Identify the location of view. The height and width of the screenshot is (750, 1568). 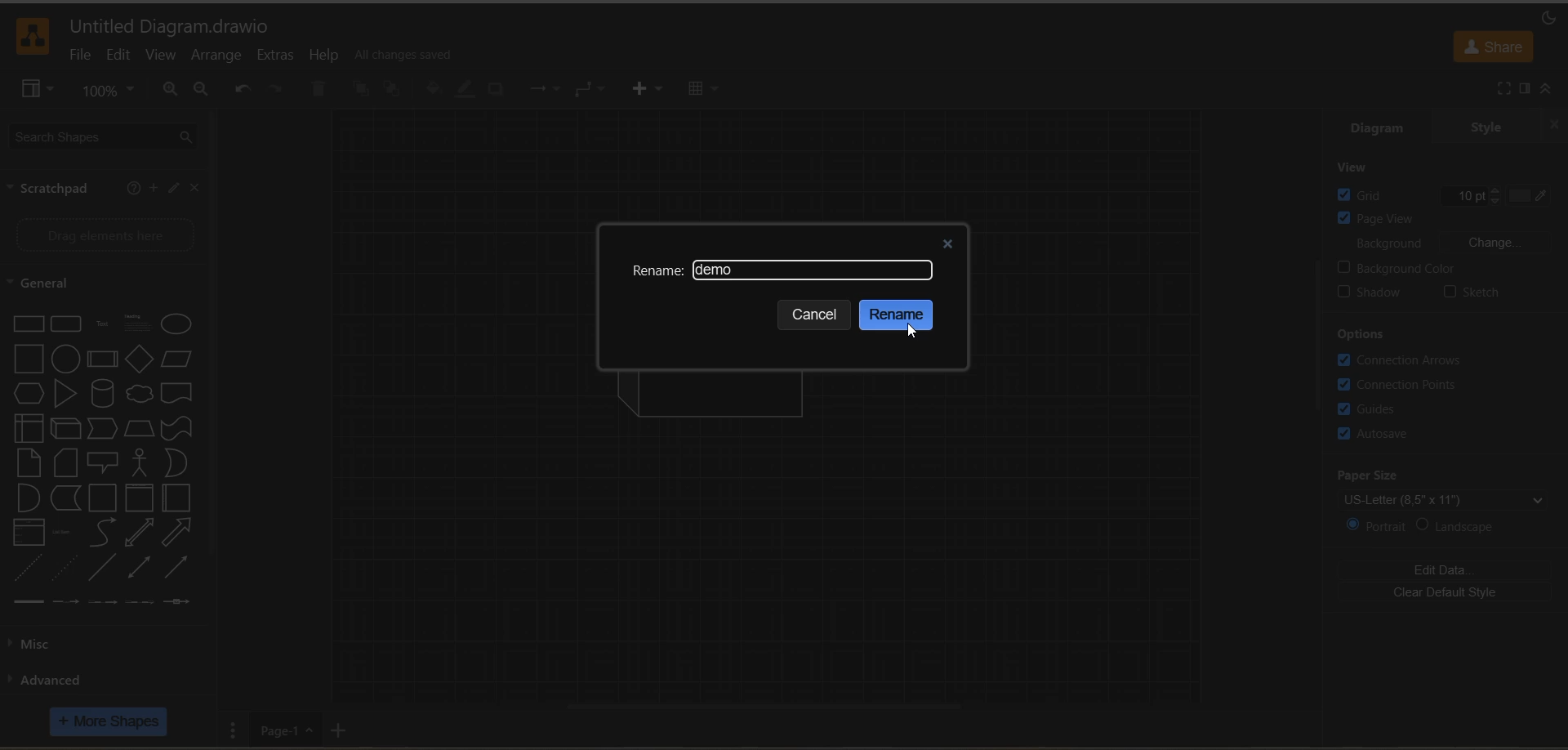
(38, 92).